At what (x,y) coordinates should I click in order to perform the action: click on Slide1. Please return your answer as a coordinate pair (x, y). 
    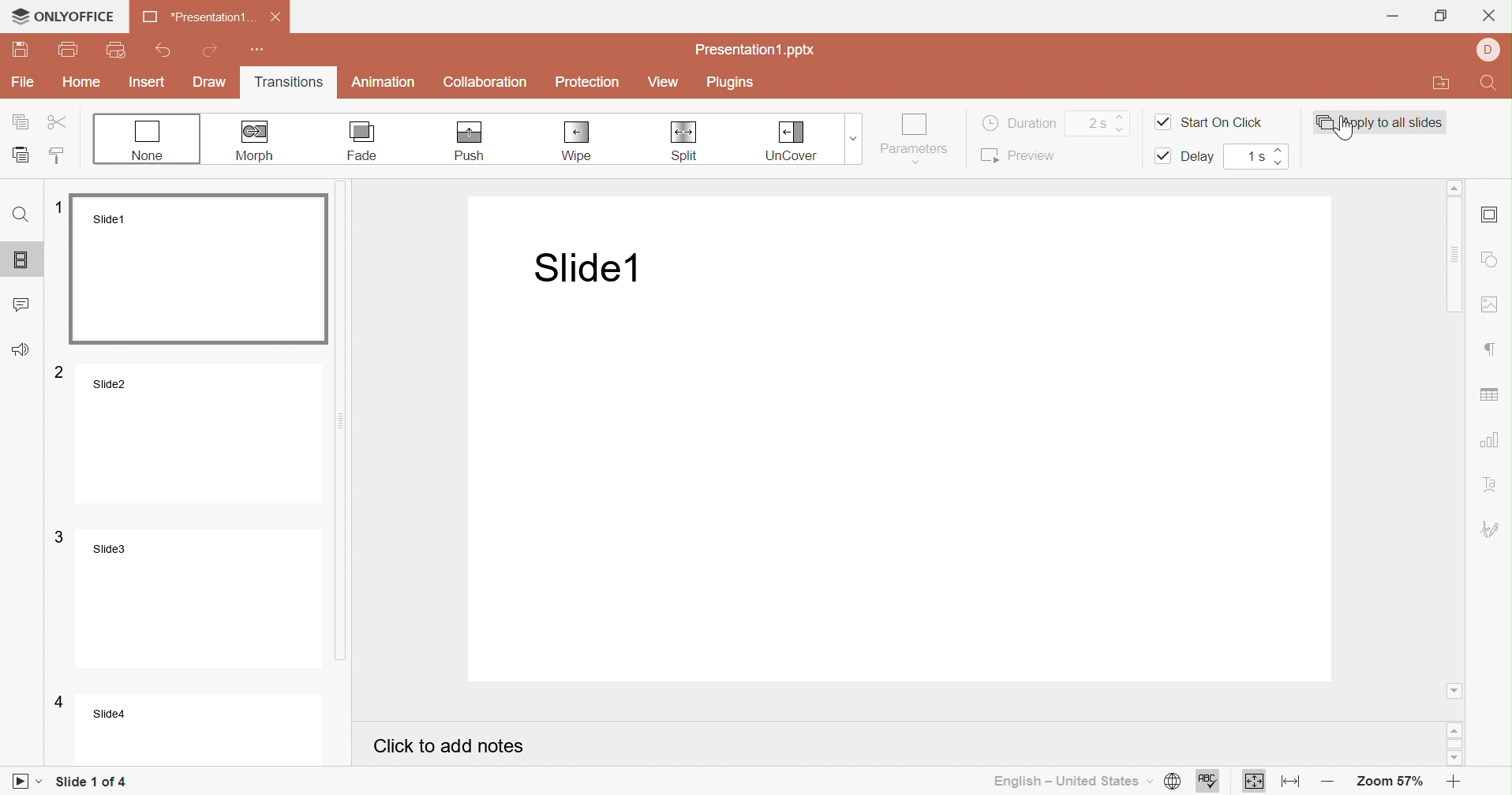
    Looking at the image, I should click on (582, 268).